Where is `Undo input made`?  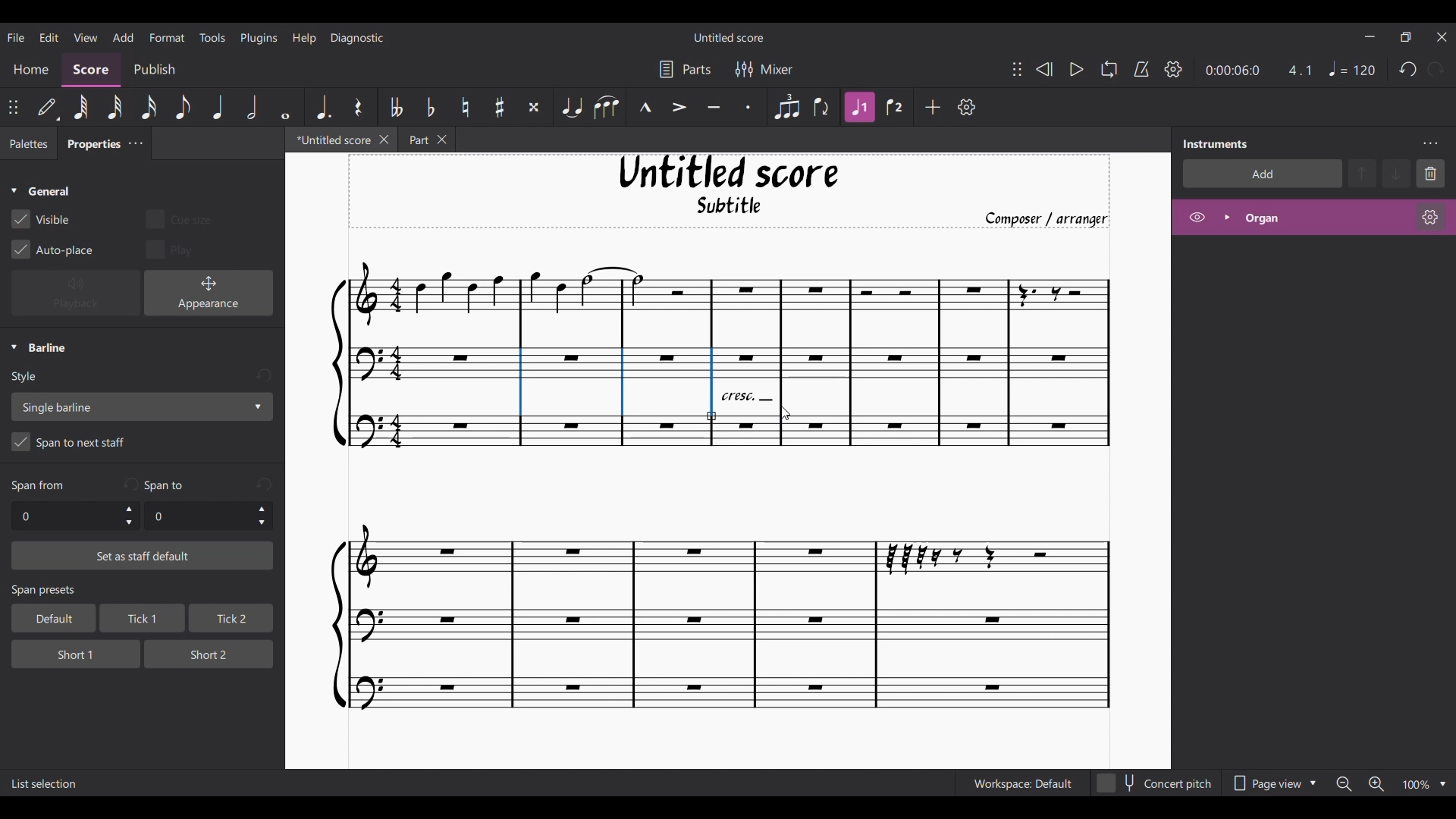
Undo input made is located at coordinates (263, 376).